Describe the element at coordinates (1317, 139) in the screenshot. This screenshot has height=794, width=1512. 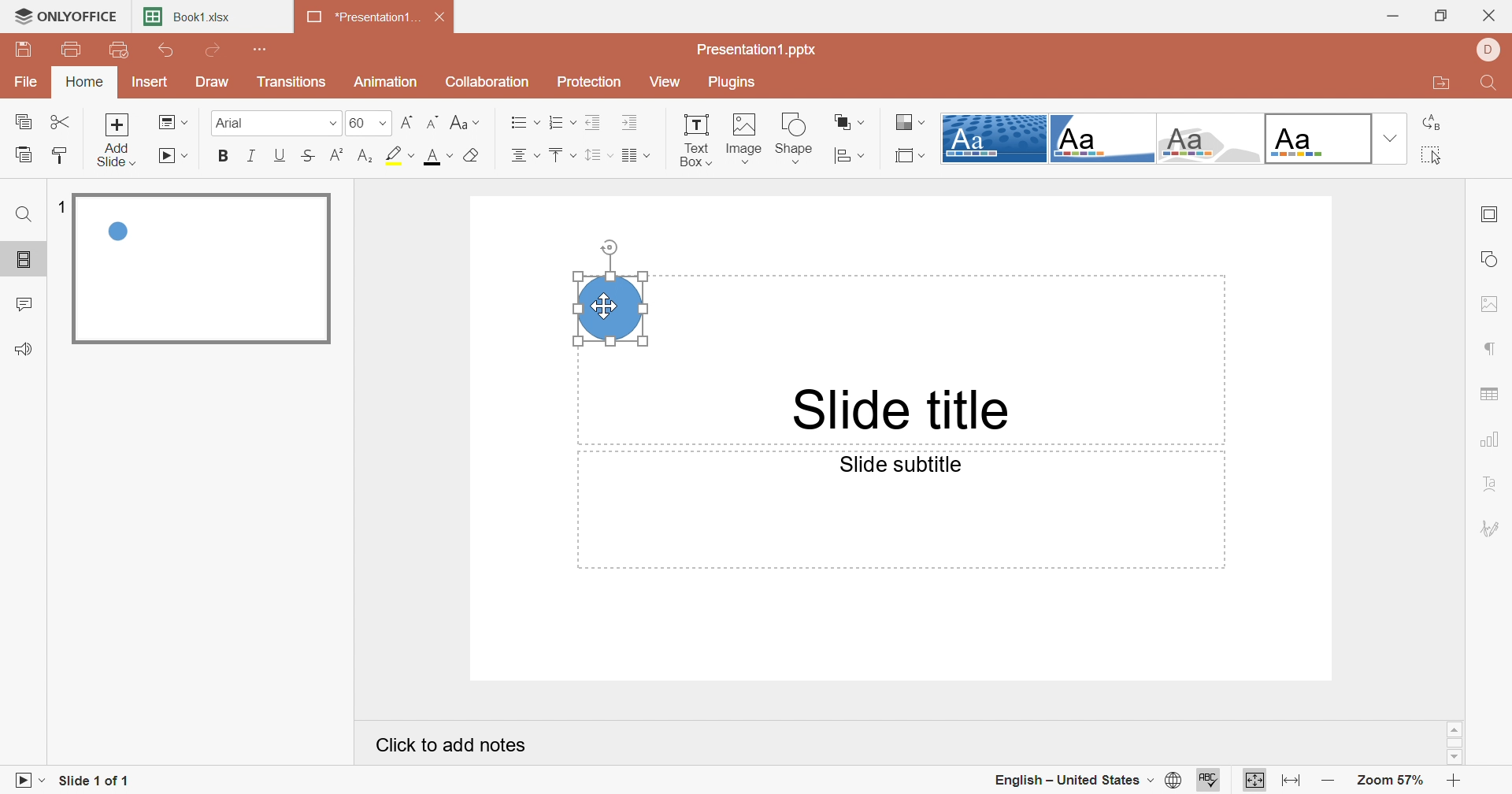
I see `Blank` at that location.